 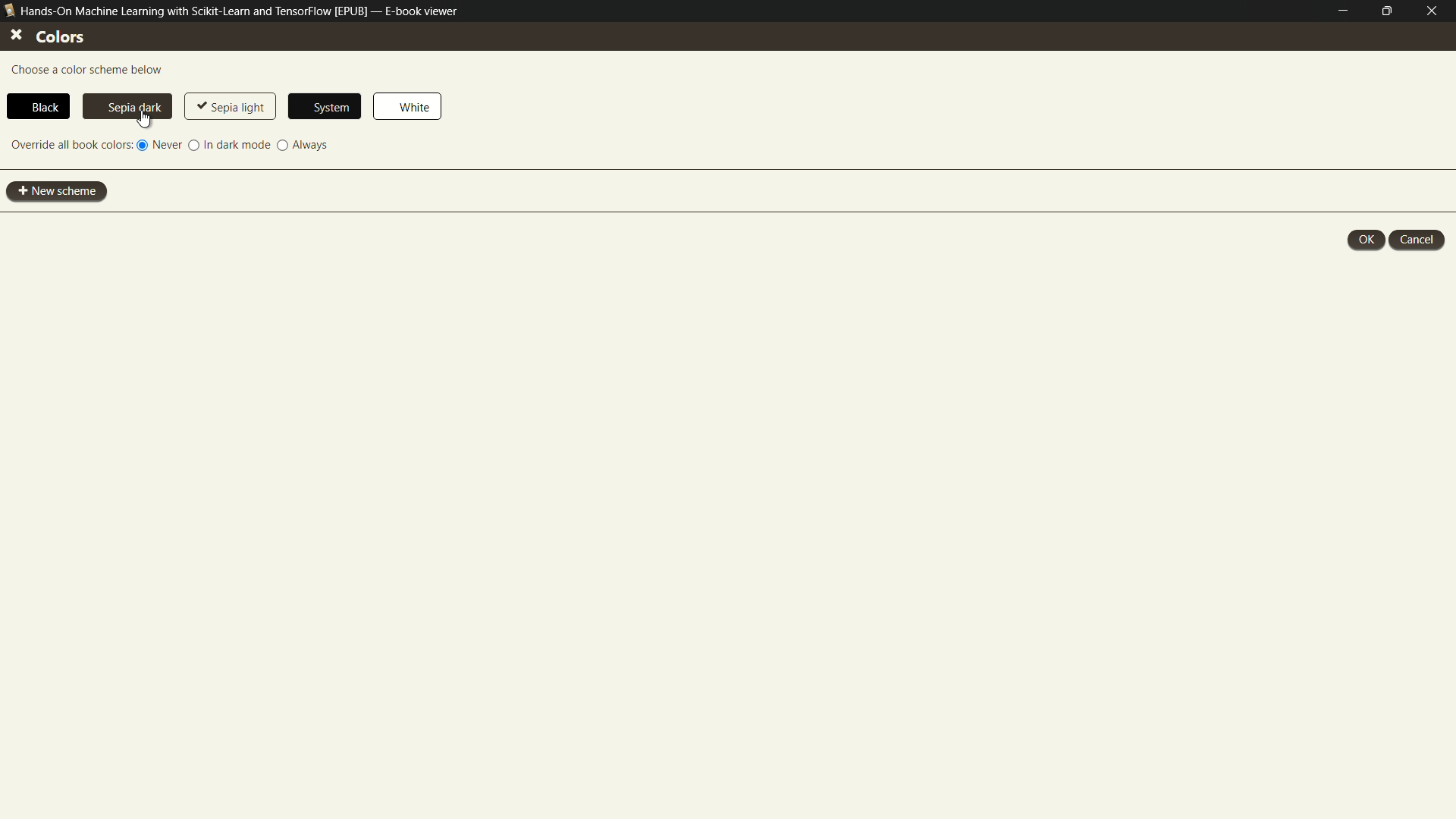 What do you see at coordinates (58, 192) in the screenshot?
I see `new scheme` at bounding box center [58, 192].